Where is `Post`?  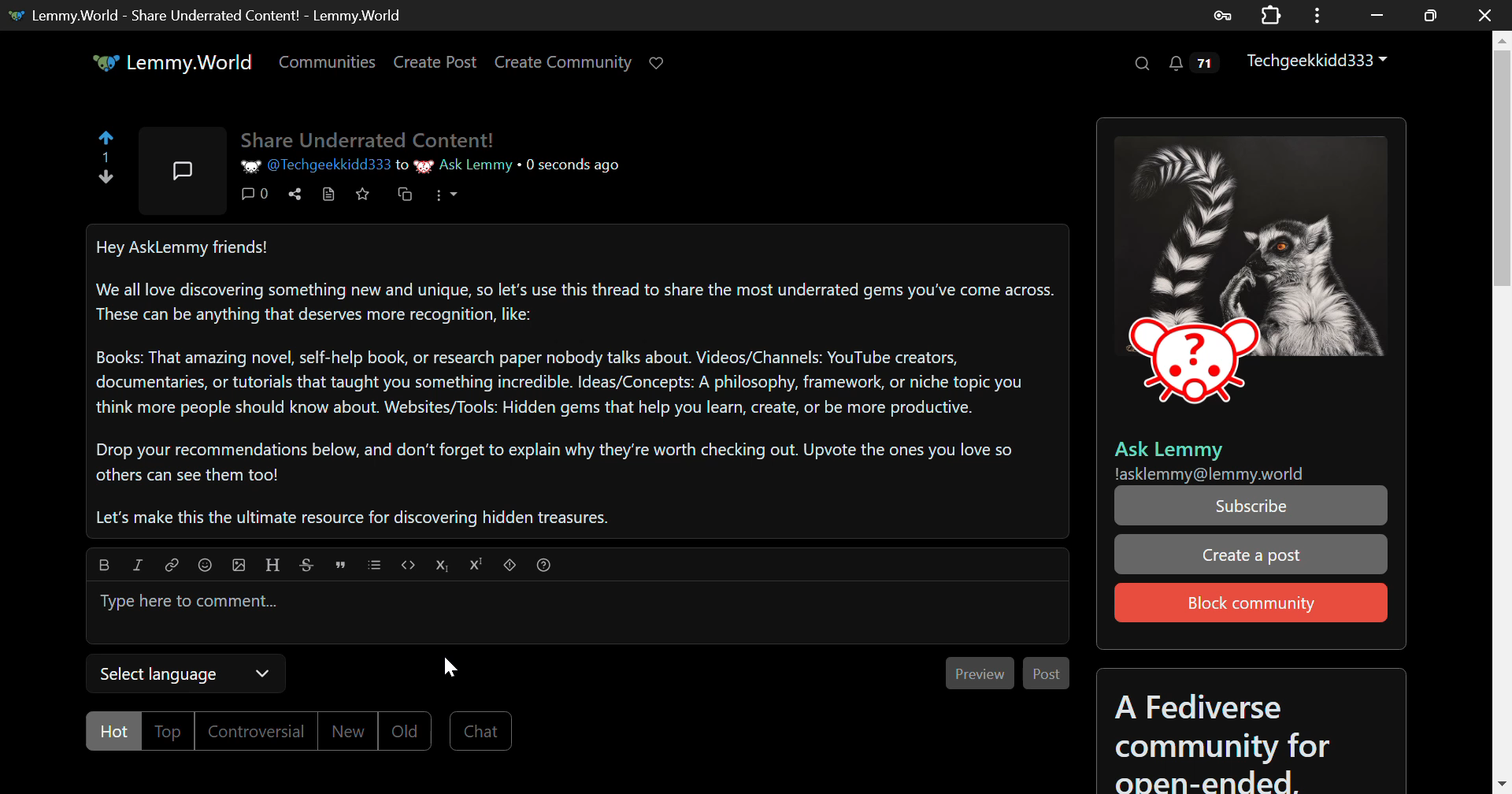 Post is located at coordinates (1044, 672).